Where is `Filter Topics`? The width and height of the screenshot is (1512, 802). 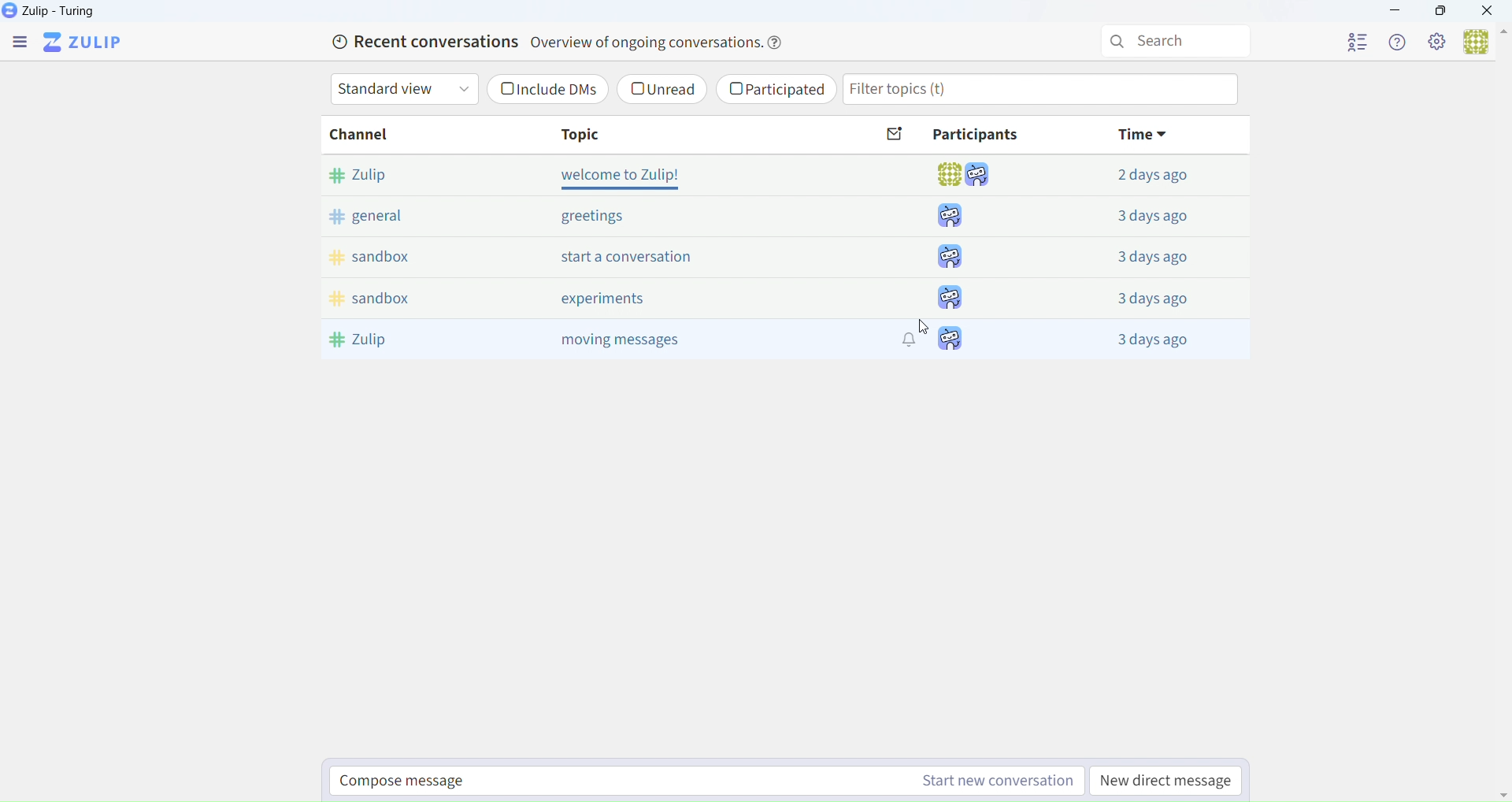
Filter Topics is located at coordinates (1045, 89).